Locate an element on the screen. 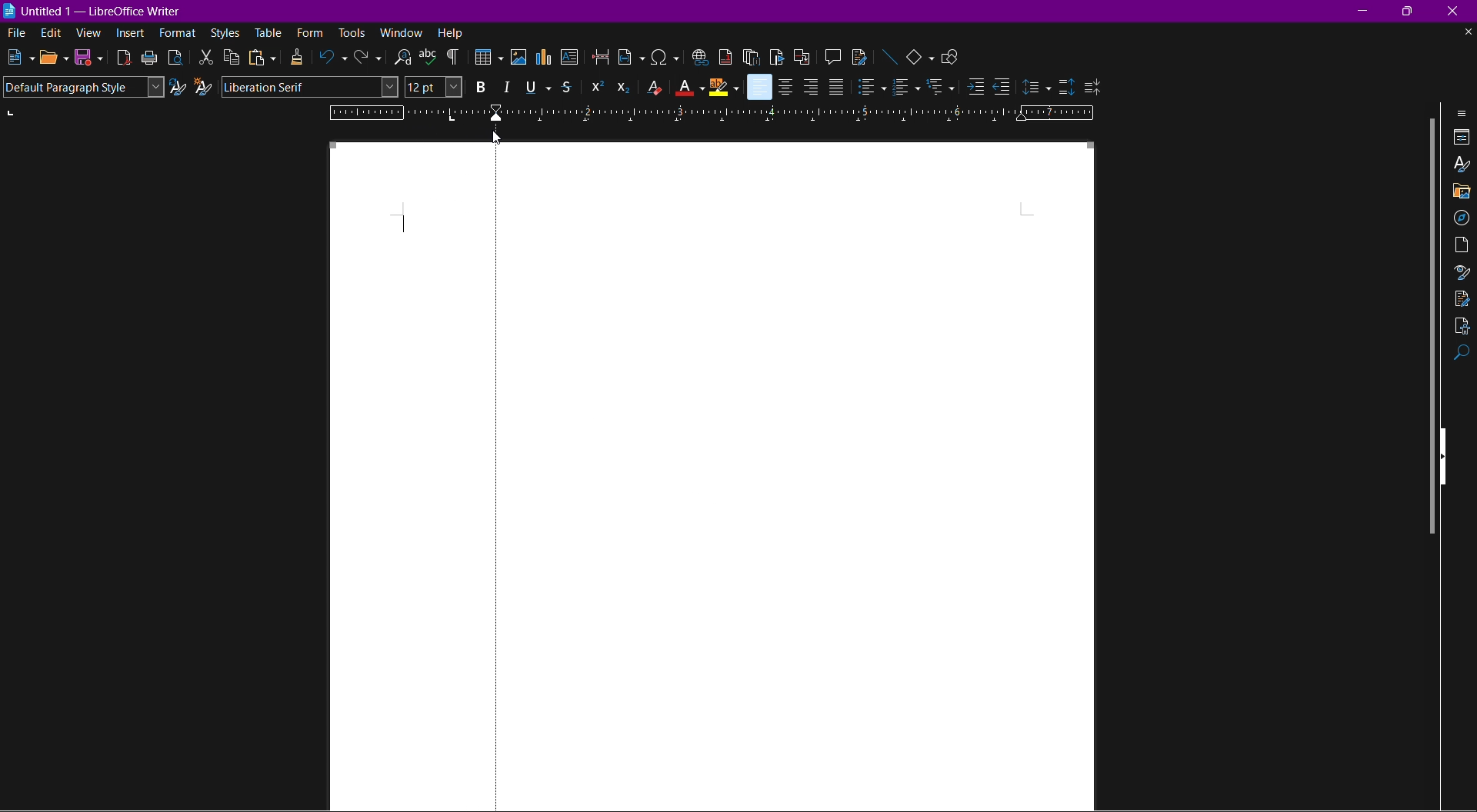 The height and width of the screenshot is (812, 1477). Strikethrough is located at coordinates (569, 87).